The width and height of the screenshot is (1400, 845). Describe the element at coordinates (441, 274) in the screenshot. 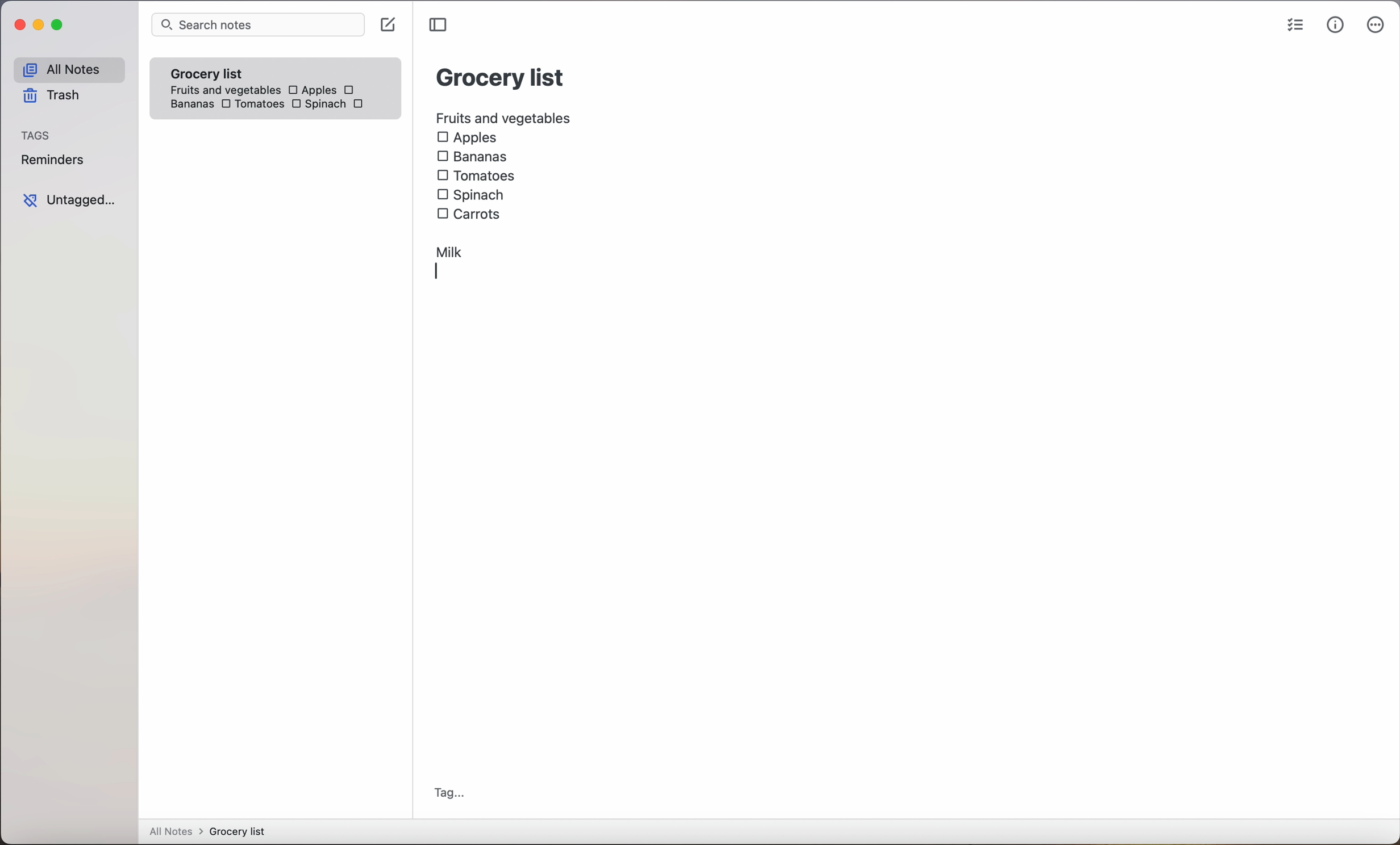

I see `enter` at that location.